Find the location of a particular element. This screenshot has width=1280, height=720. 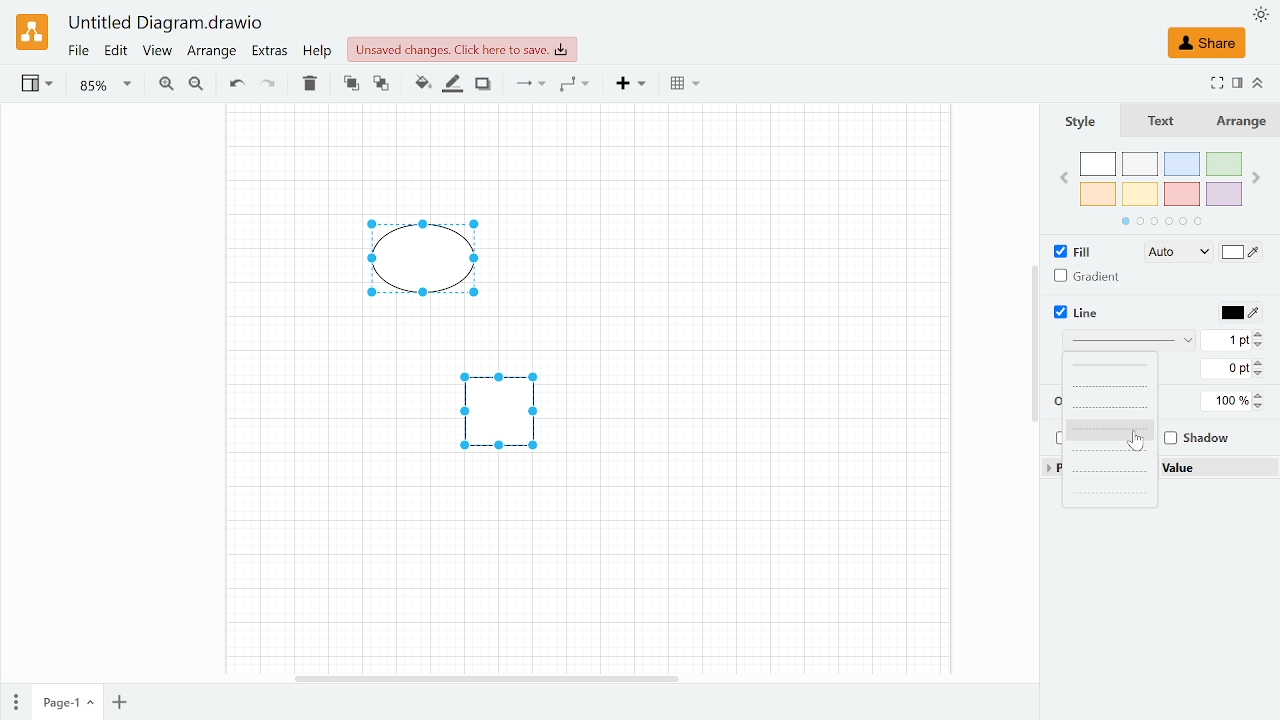

Line color is located at coordinates (1238, 313).